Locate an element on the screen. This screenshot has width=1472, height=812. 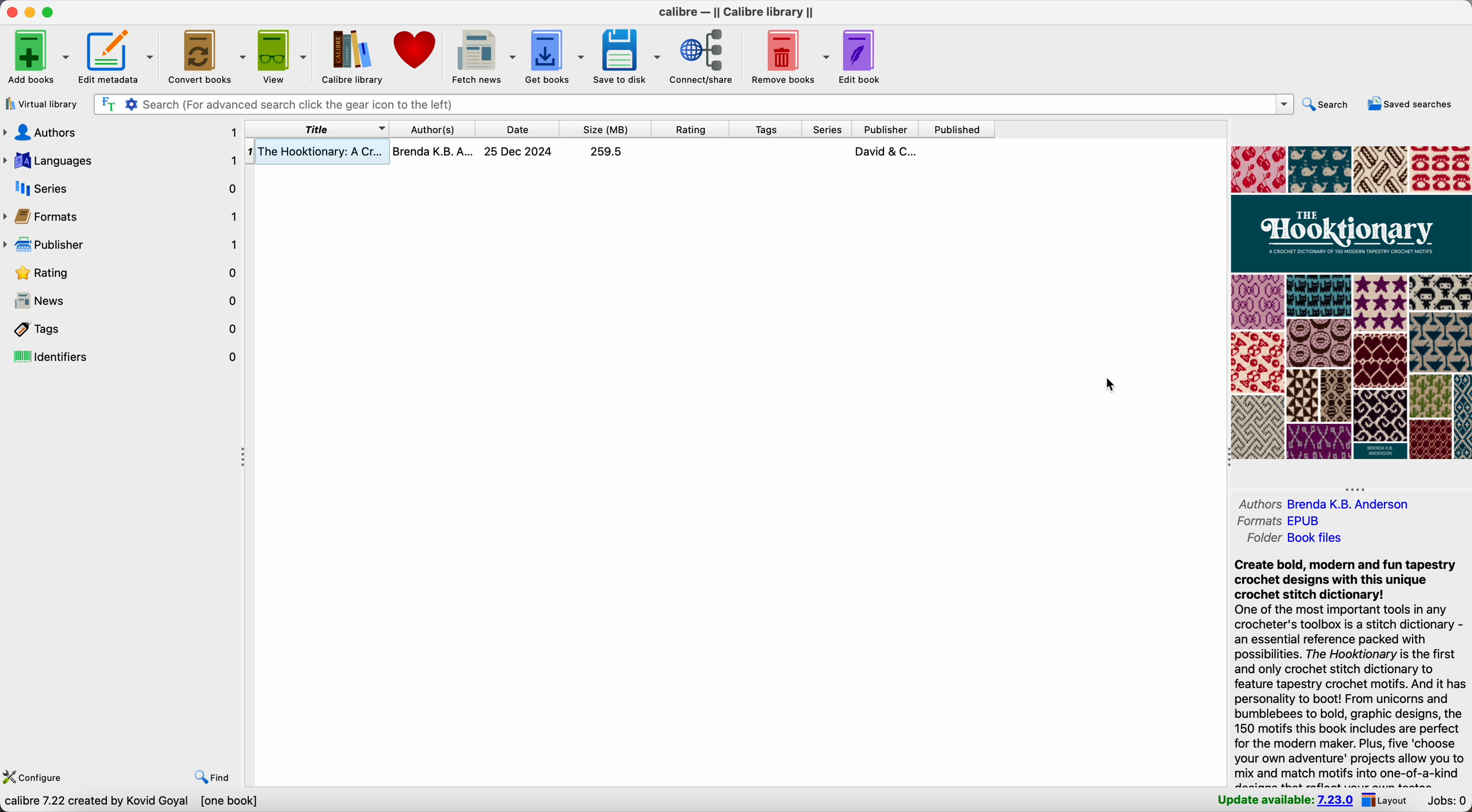
news is located at coordinates (123, 302).